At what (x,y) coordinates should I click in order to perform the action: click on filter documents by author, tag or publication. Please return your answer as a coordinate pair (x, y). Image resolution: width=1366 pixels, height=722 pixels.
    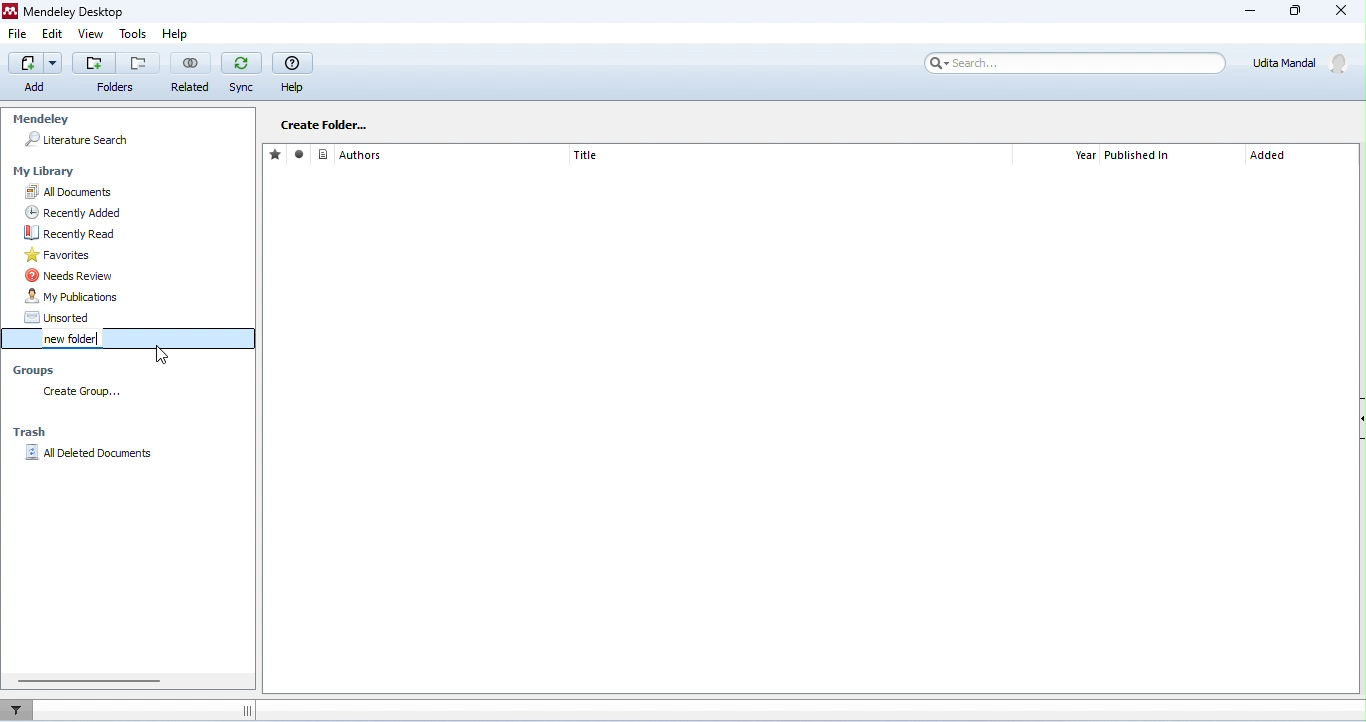
    Looking at the image, I should click on (22, 708).